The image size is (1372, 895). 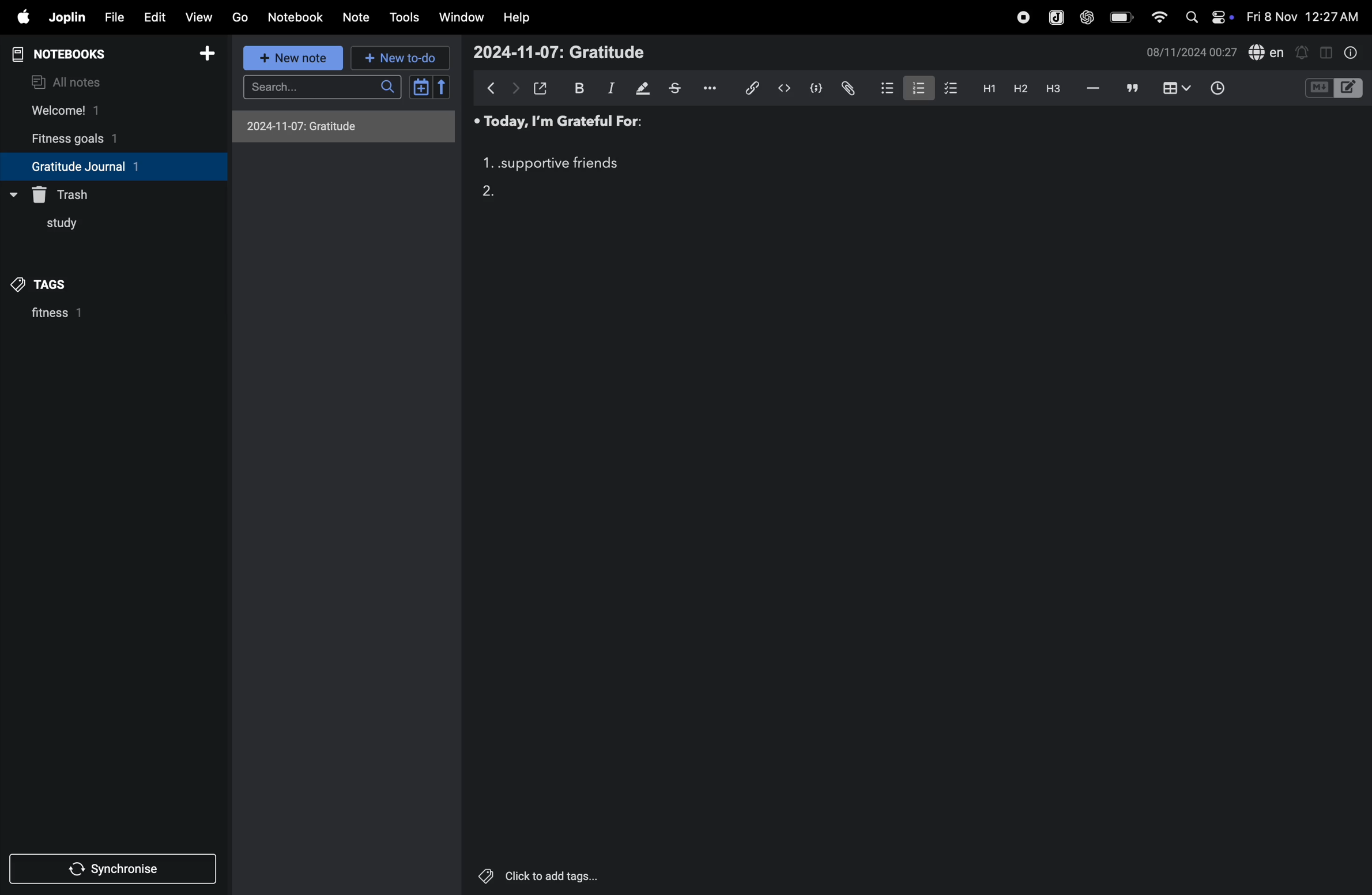 I want to click on inline code, so click(x=782, y=89).